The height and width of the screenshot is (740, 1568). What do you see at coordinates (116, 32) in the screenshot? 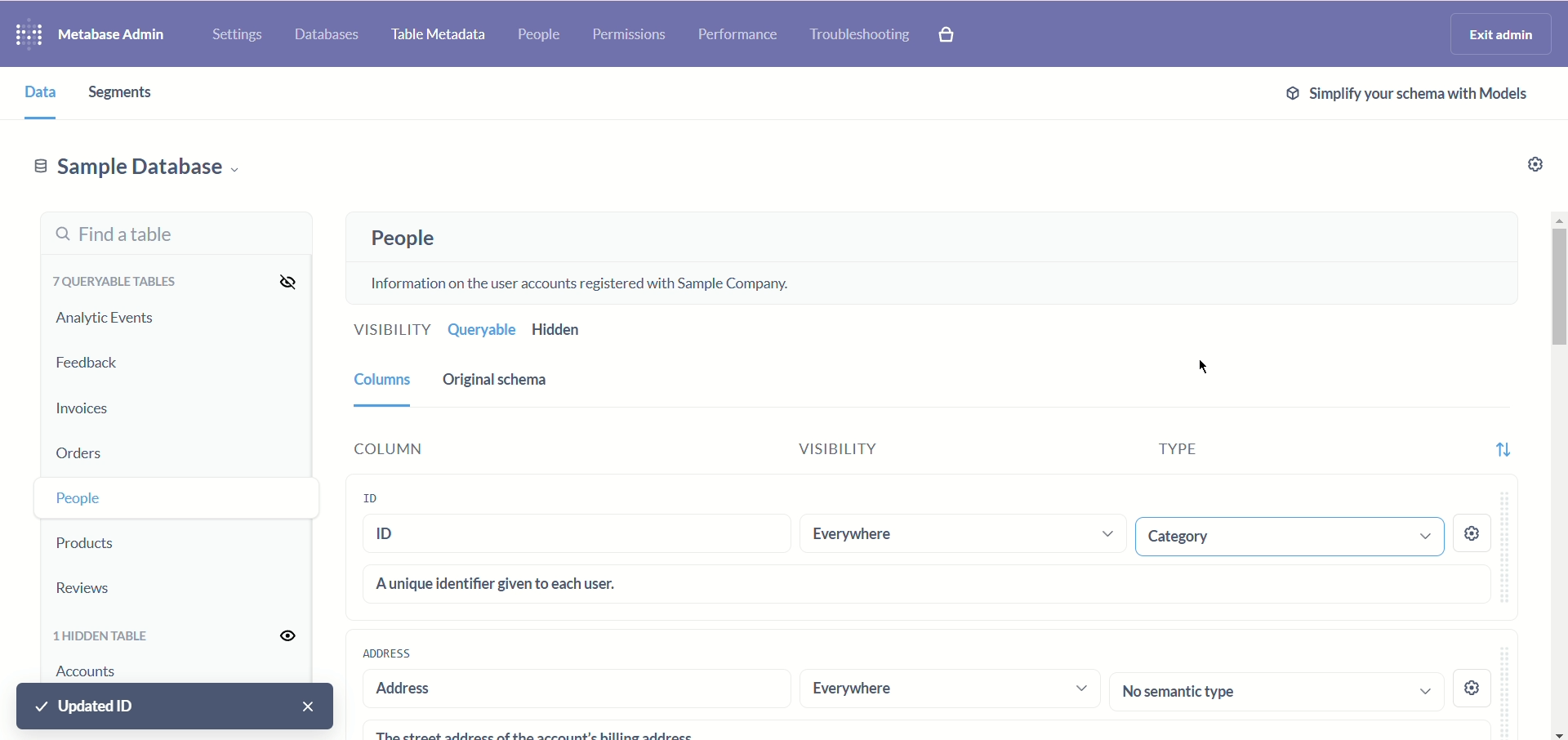
I see `Metabase admin` at bounding box center [116, 32].